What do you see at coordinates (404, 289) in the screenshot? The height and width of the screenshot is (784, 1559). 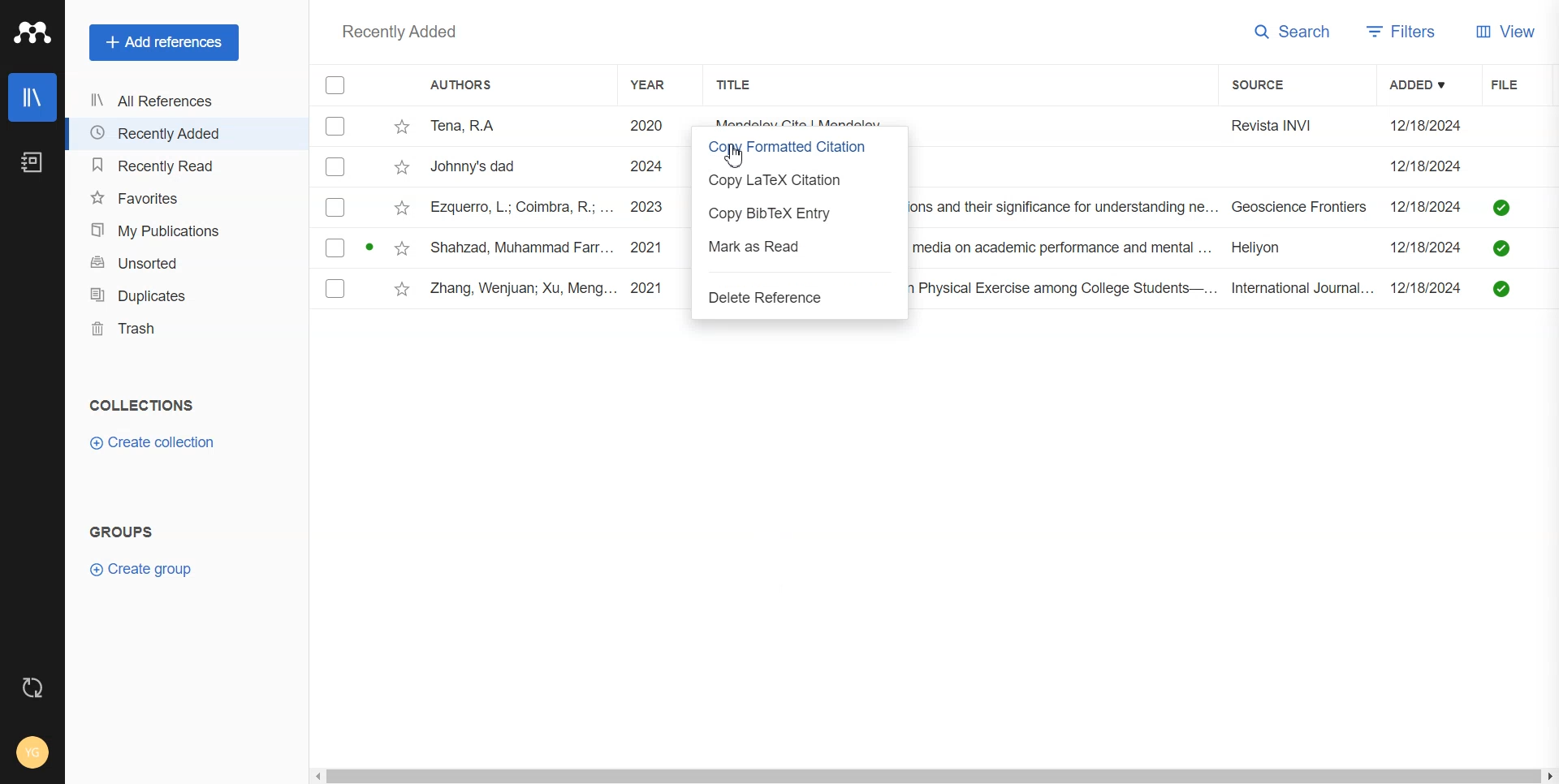 I see `Star` at bounding box center [404, 289].